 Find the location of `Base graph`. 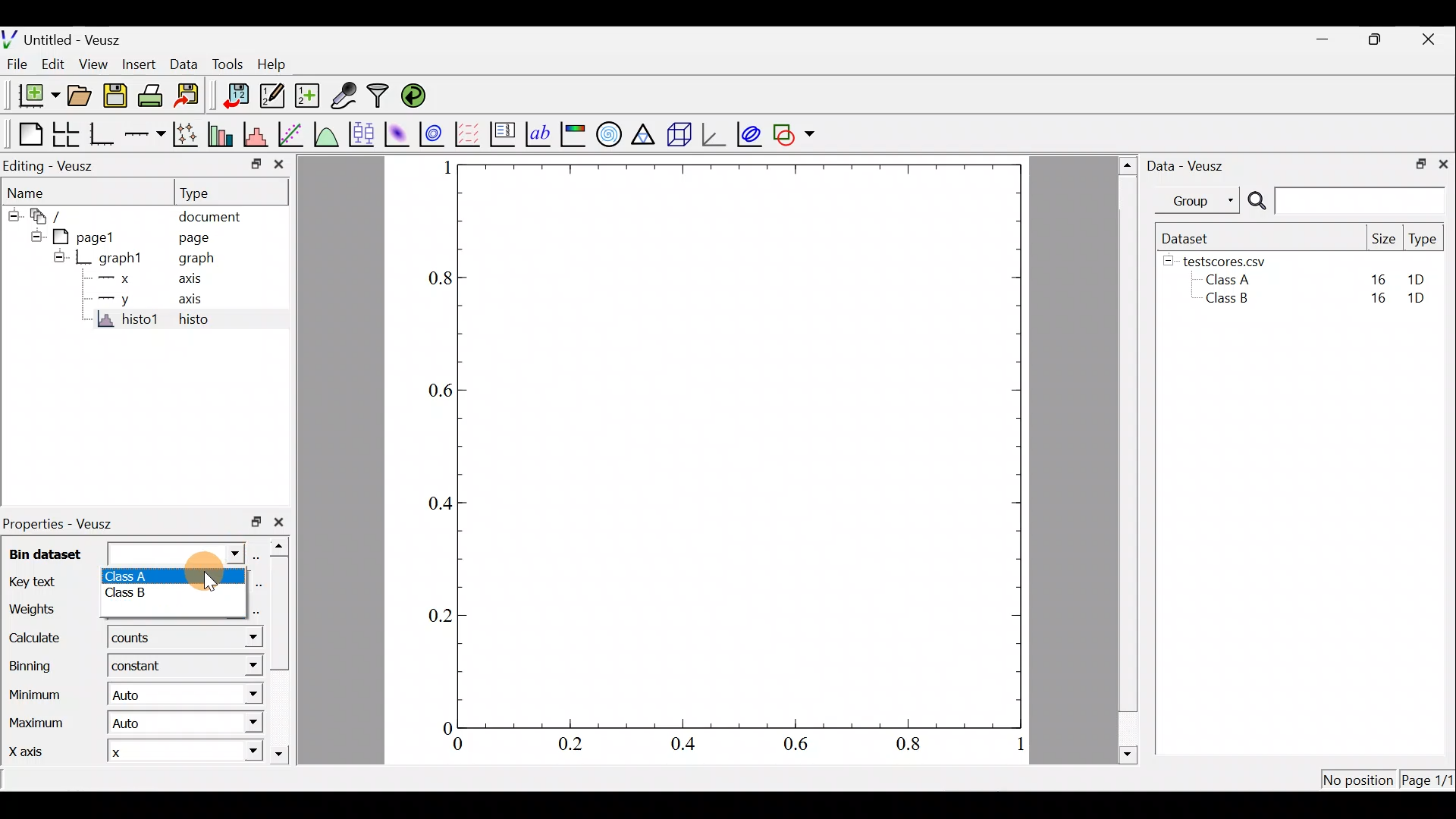

Base graph is located at coordinates (102, 132).